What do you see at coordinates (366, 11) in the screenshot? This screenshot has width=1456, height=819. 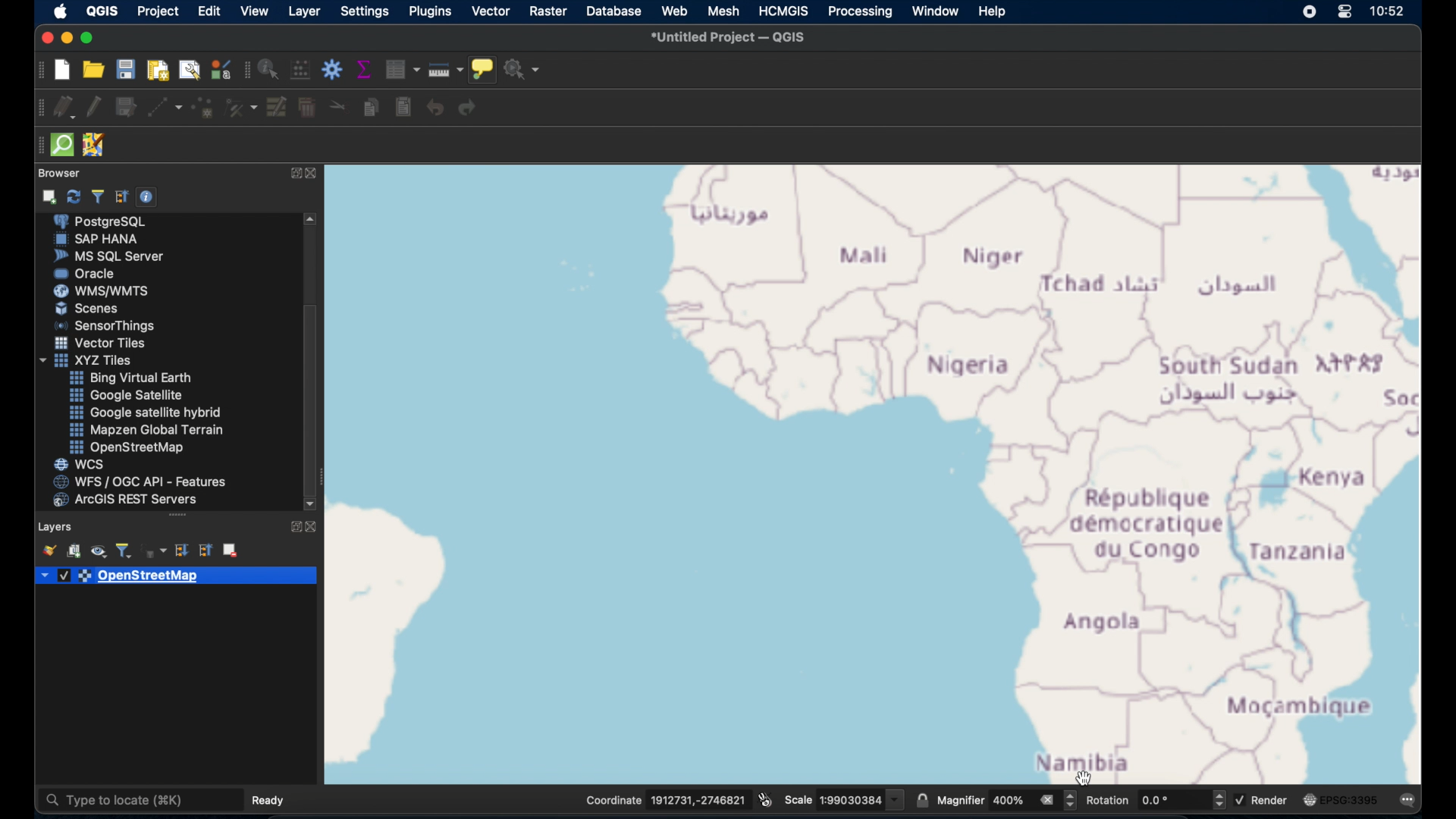 I see `settings` at bounding box center [366, 11].